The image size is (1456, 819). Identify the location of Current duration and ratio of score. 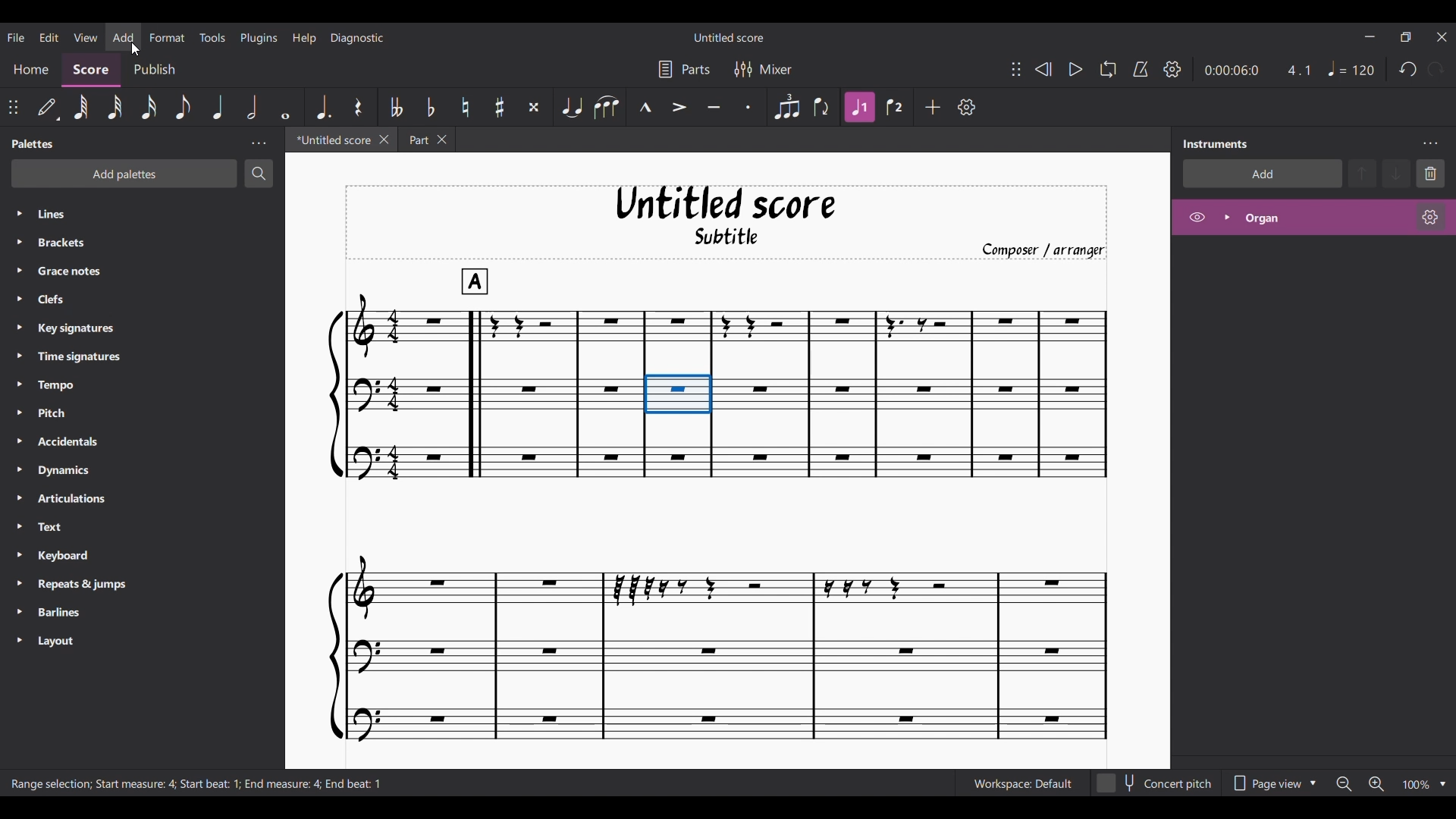
(1257, 70).